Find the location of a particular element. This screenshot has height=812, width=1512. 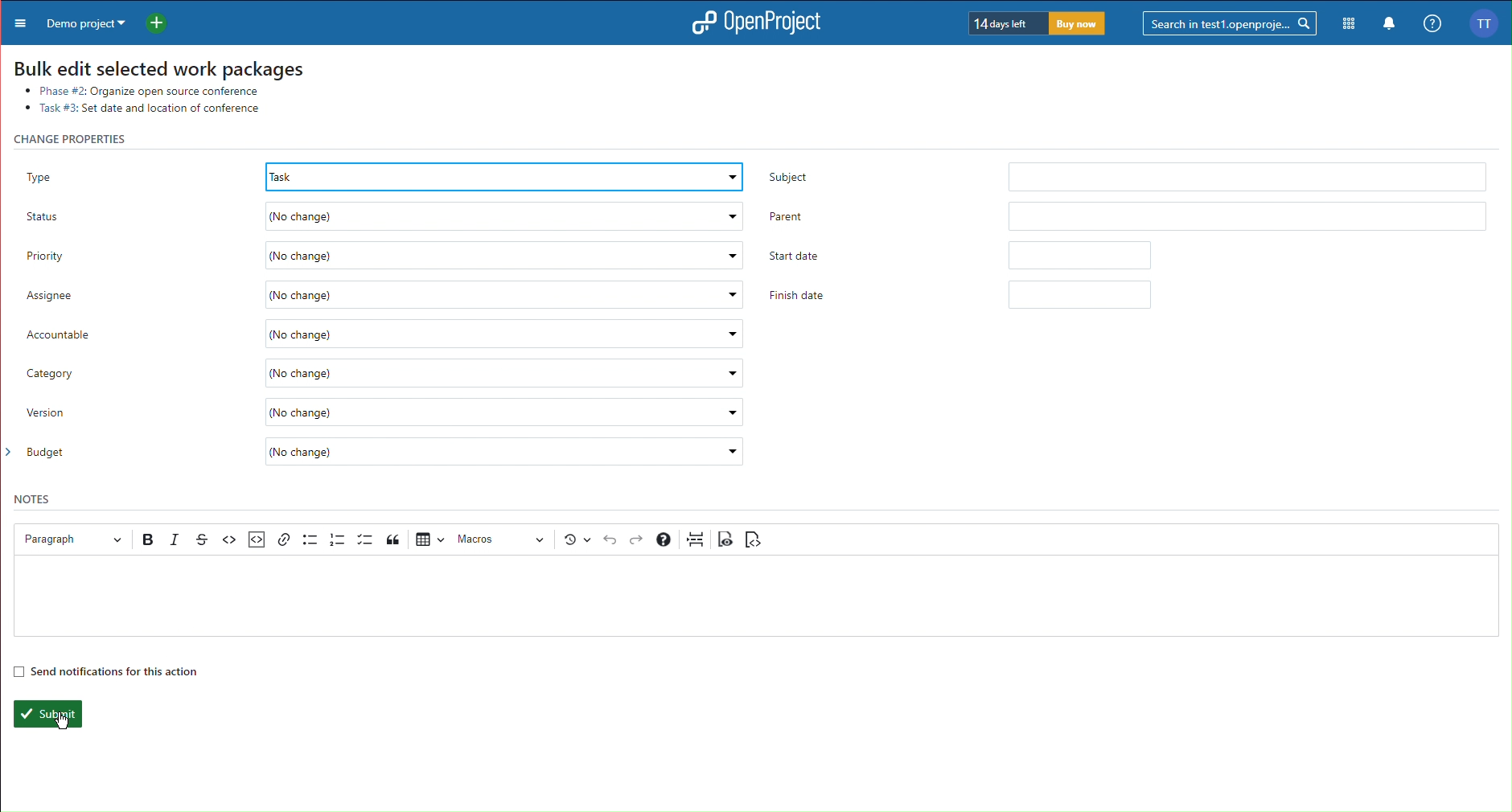

Table is located at coordinates (429, 538).